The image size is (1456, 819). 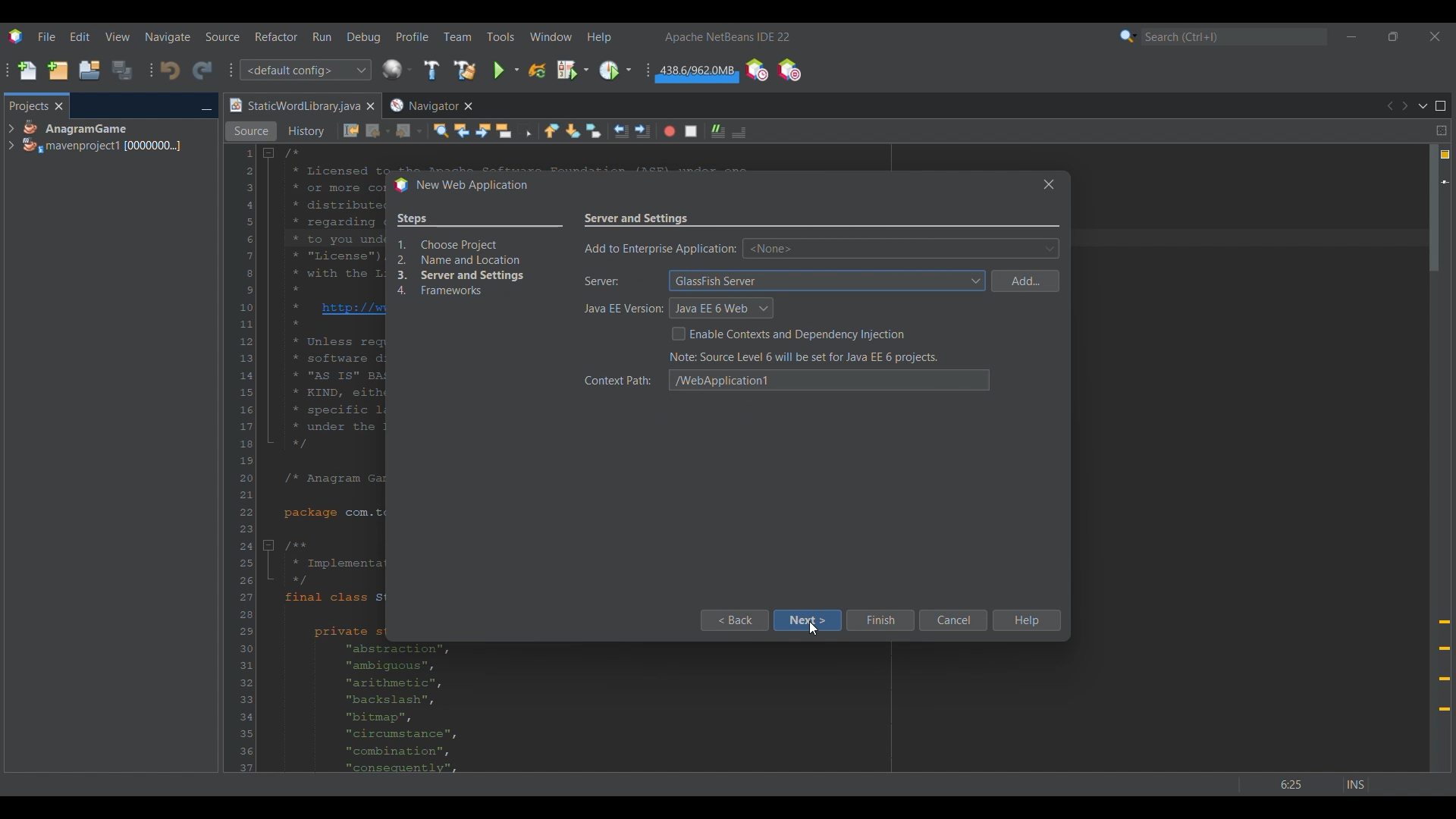 I want to click on Next highlighted by cursor, so click(x=808, y=620).